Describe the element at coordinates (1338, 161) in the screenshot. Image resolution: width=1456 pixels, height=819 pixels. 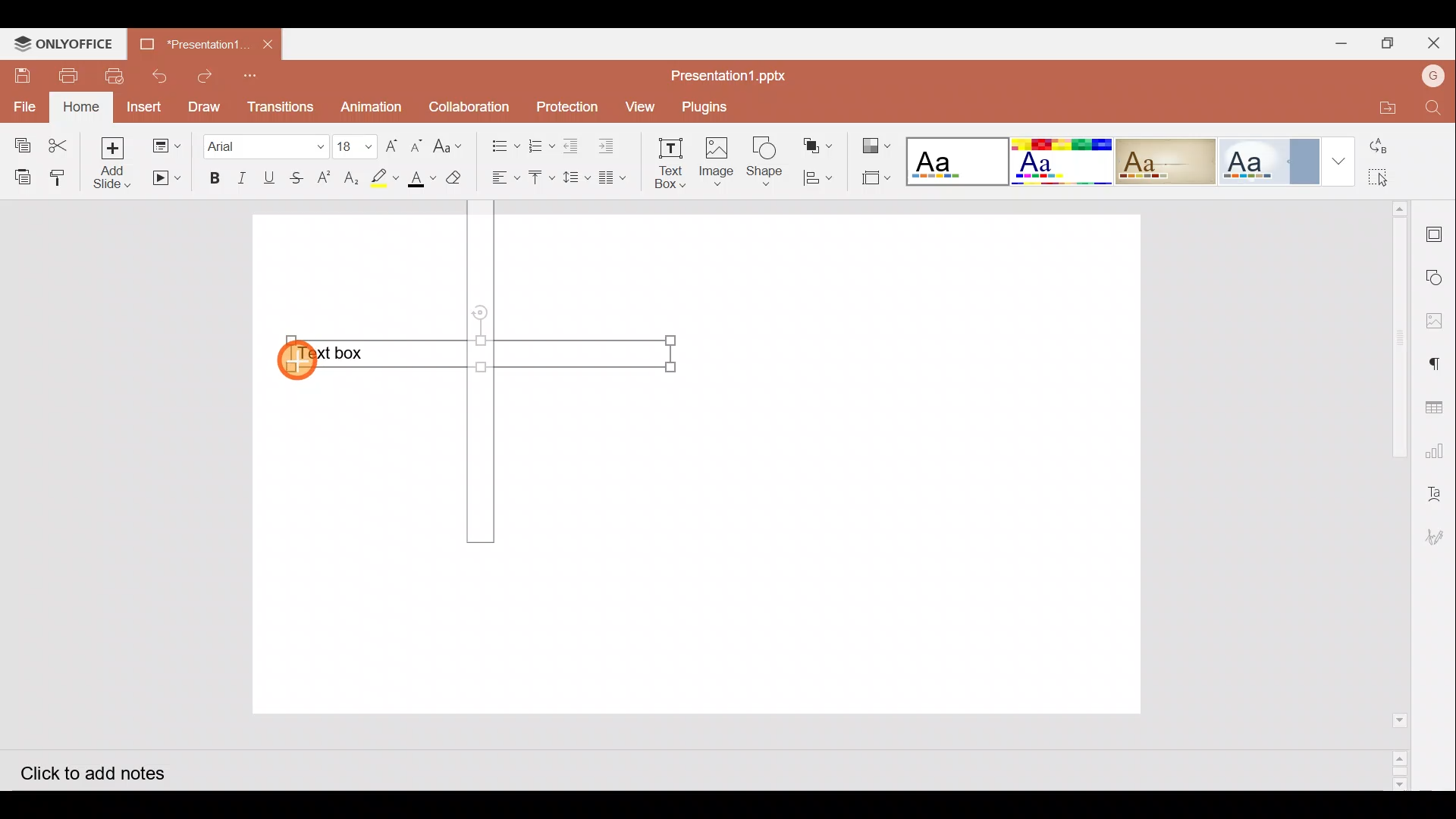
I see `More` at that location.